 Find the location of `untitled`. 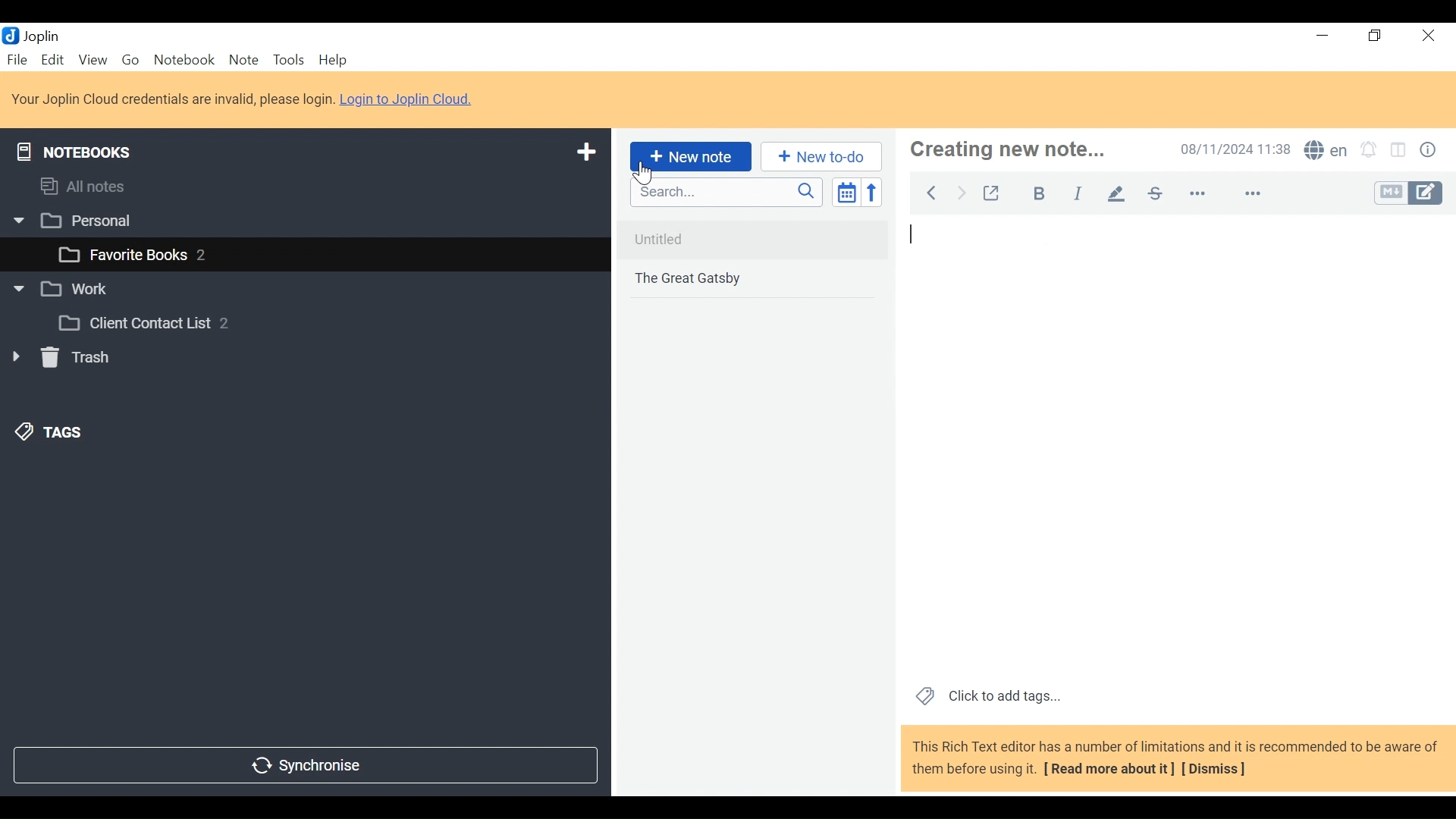

untitled is located at coordinates (752, 240).